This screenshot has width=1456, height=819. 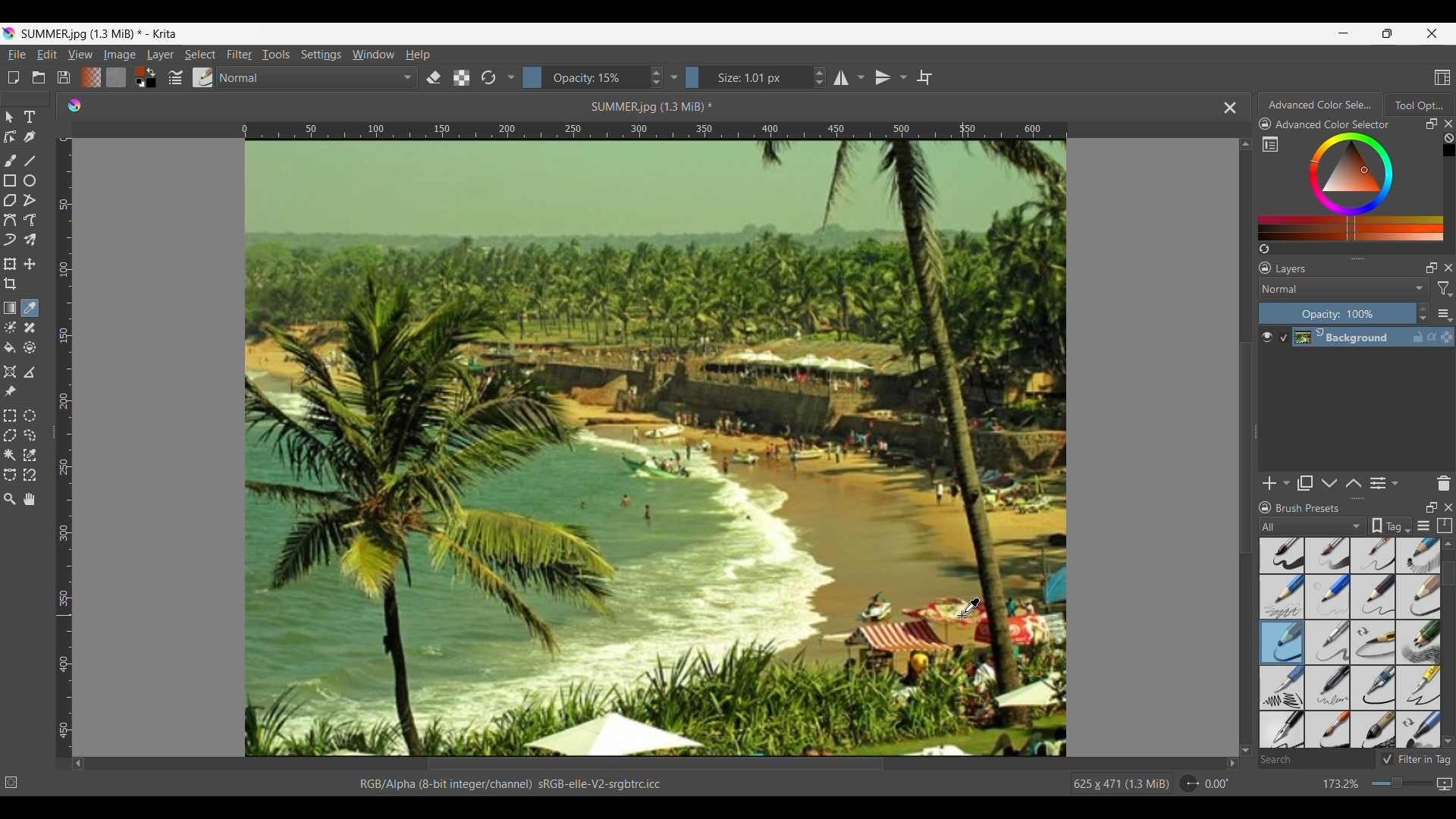 What do you see at coordinates (654, 130) in the screenshot?
I see `Horizontal scale` at bounding box center [654, 130].